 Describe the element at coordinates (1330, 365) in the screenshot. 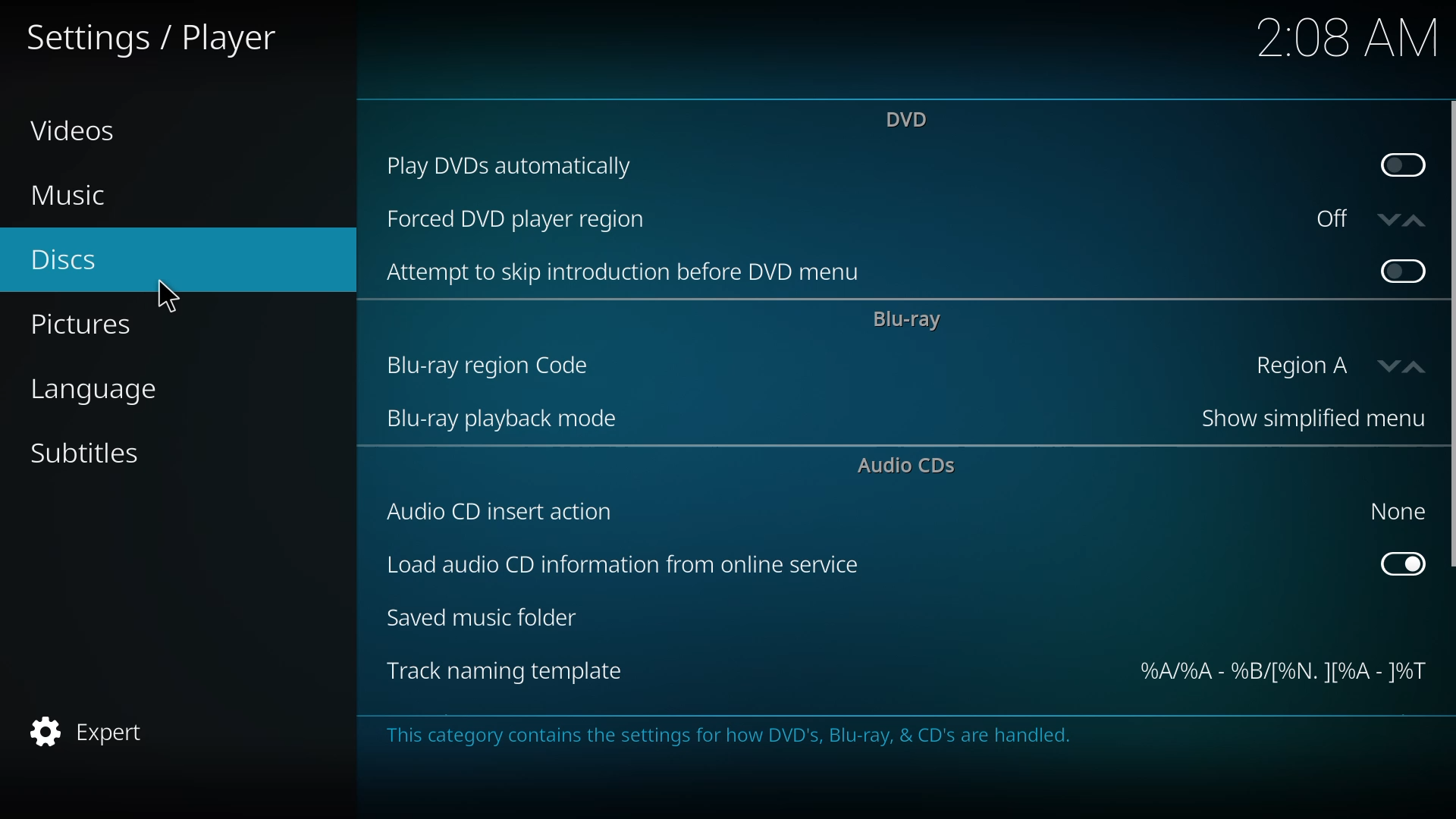

I see `region A` at that location.